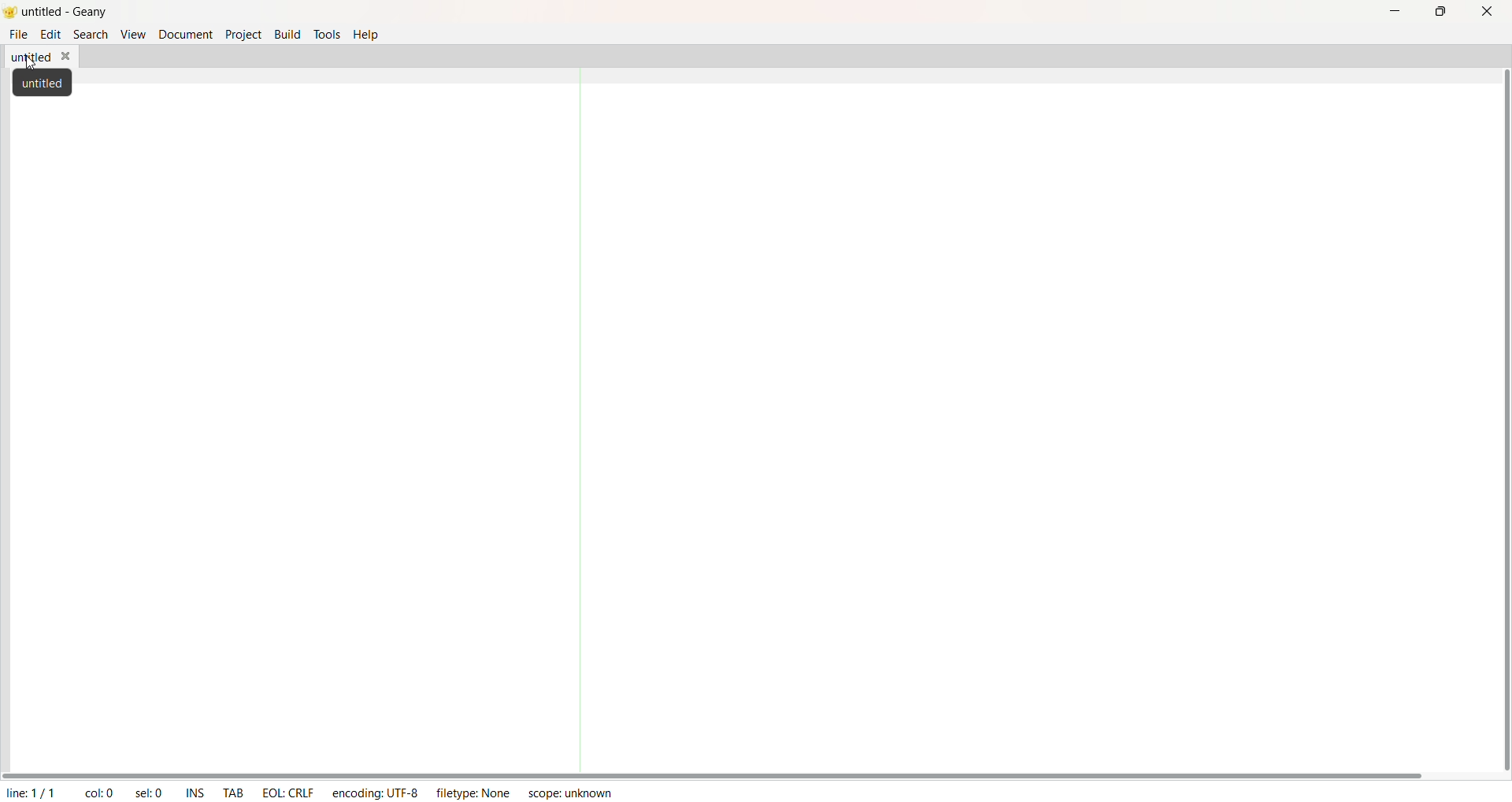  I want to click on encoding: UTF-8, so click(374, 793).